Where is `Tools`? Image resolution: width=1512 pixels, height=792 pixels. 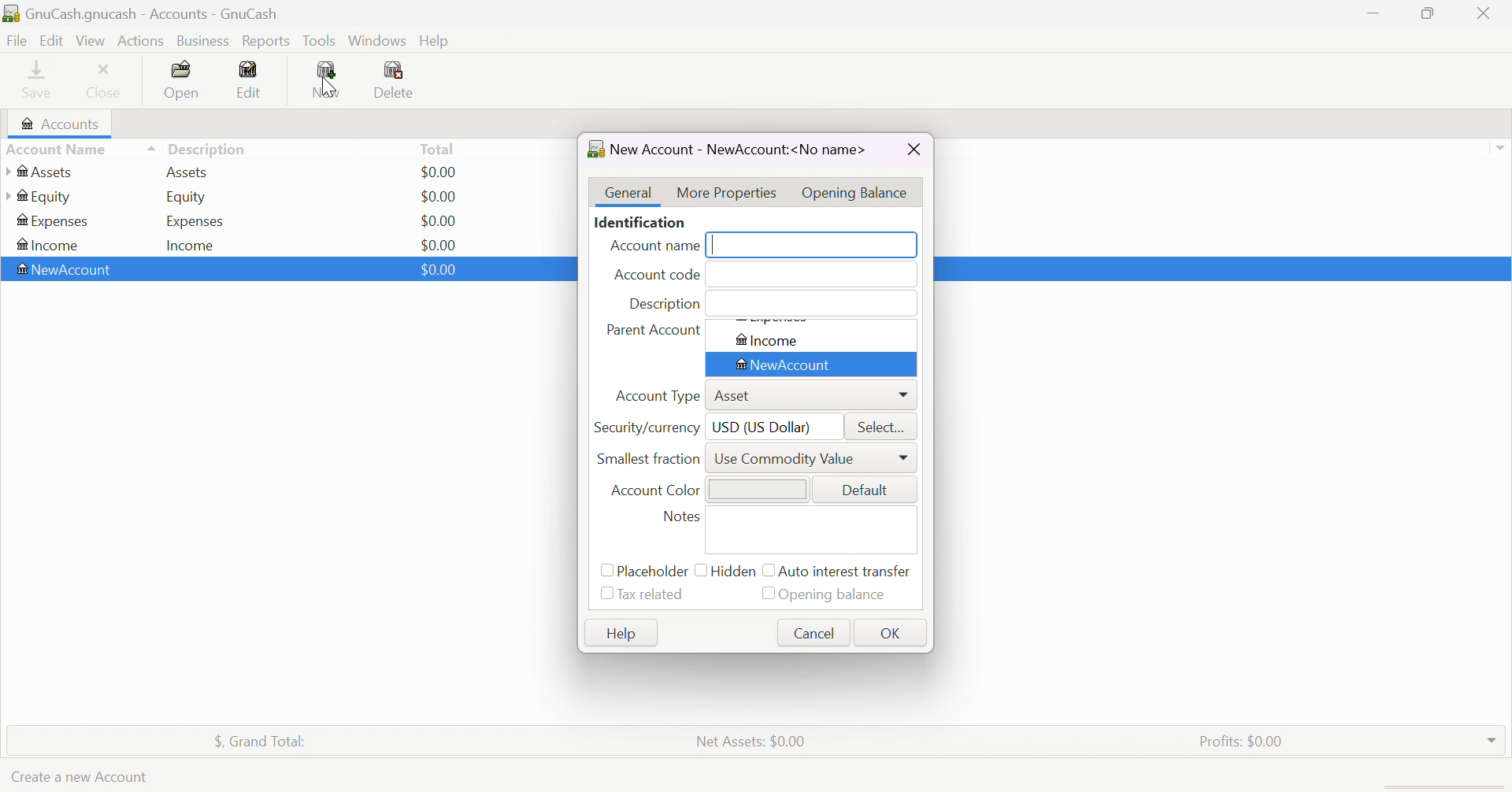
Tools is located at coordinates (321, 41).